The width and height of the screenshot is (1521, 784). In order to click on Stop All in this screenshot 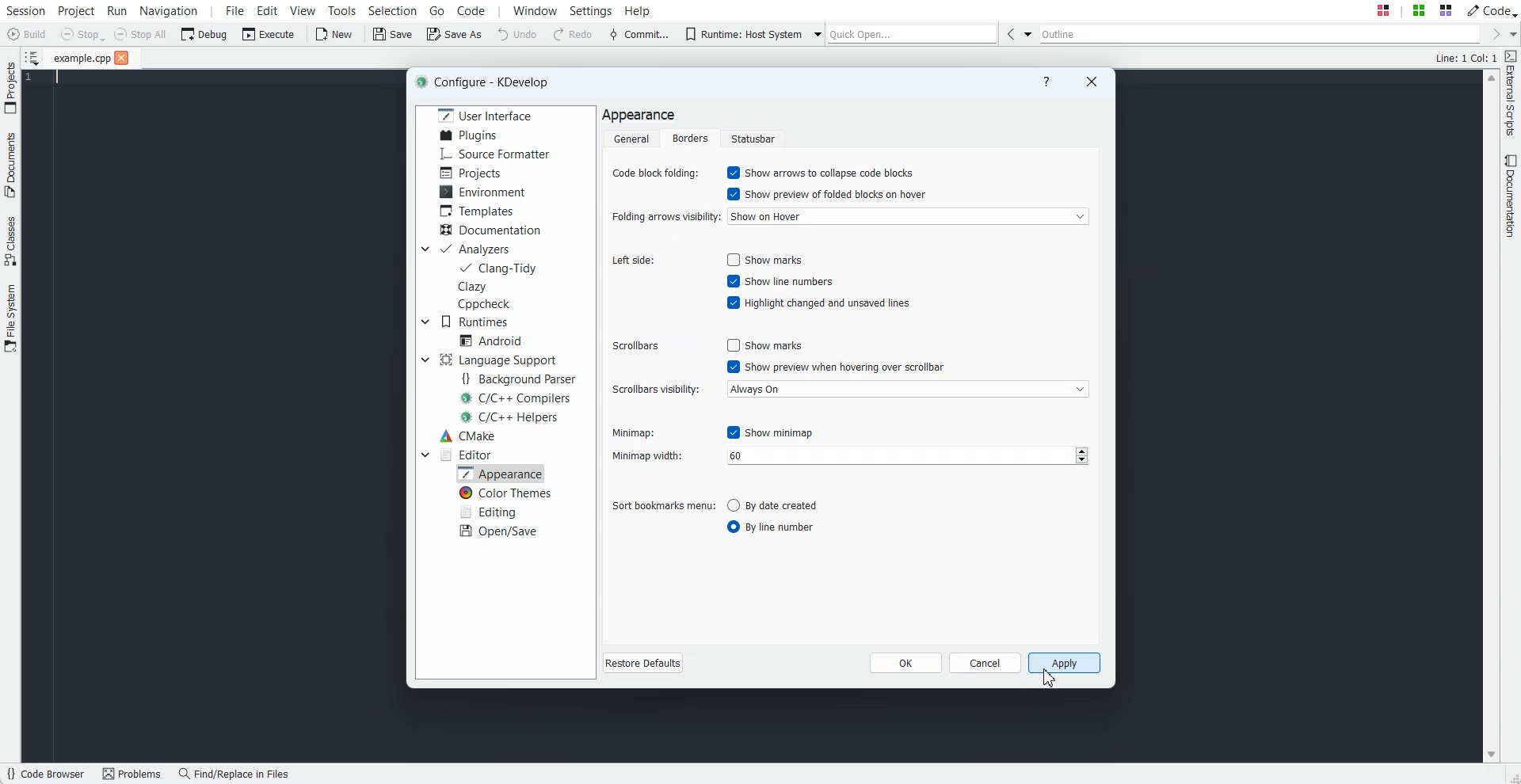, I will do `click(139, 34)`.